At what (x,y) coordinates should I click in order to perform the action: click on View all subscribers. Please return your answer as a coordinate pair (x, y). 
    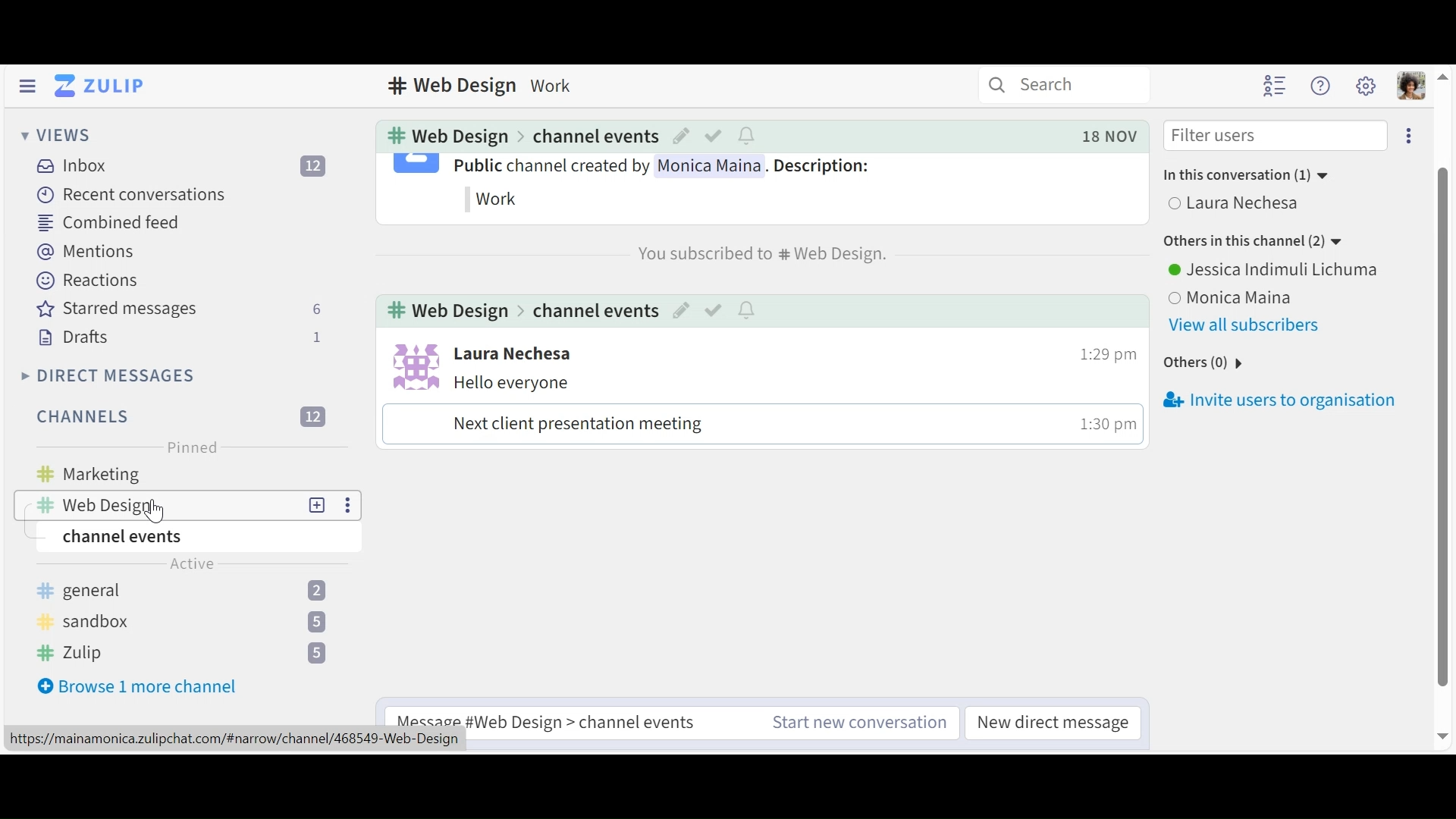
    Looking at the image, I should click on (1247, 327).